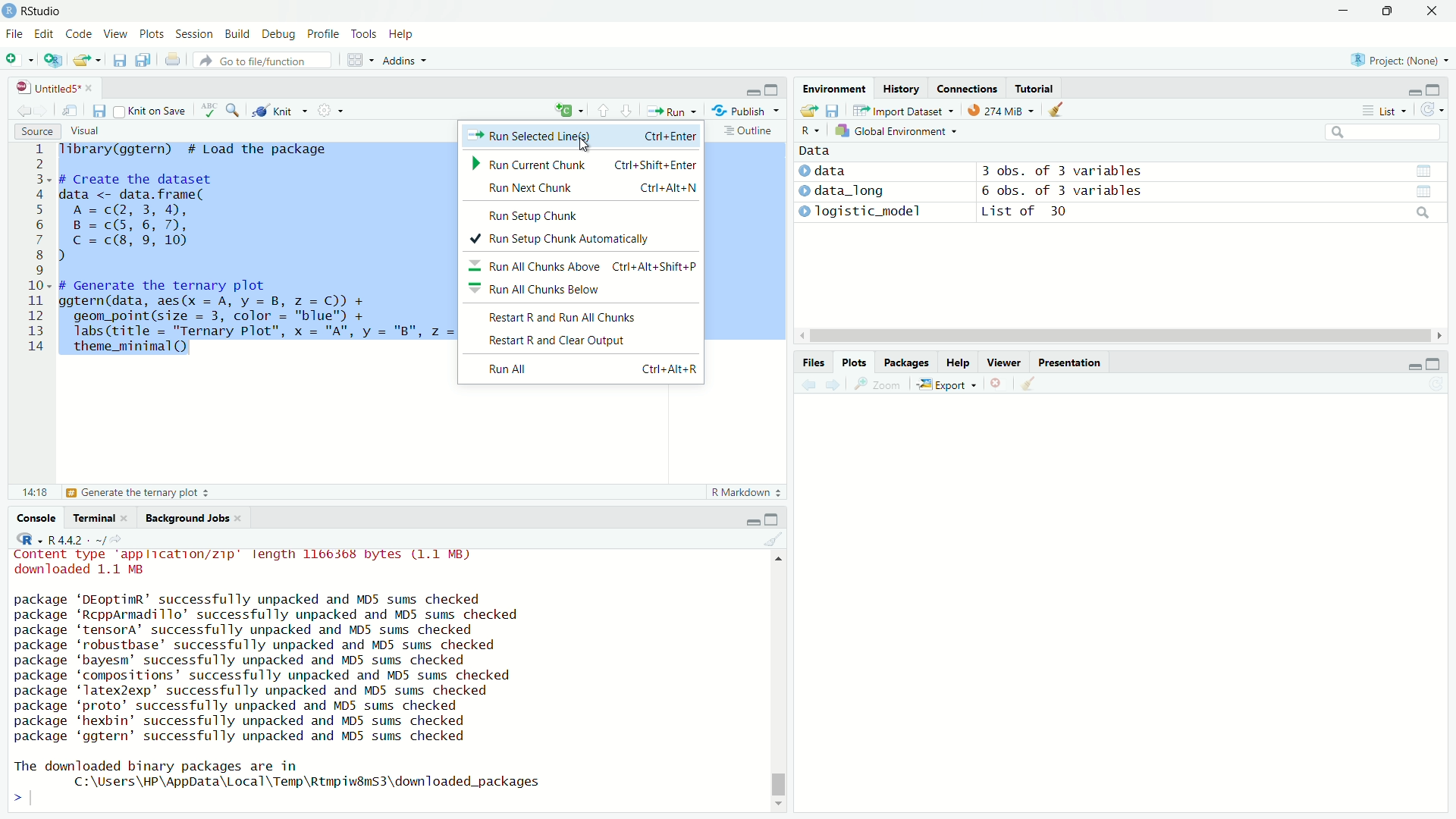 The width and height of the screenshot is (1456, 819). What do you see at coordinates (828, 91) in the screenshot?
I see `Environment` at bounding box center [828, 91].